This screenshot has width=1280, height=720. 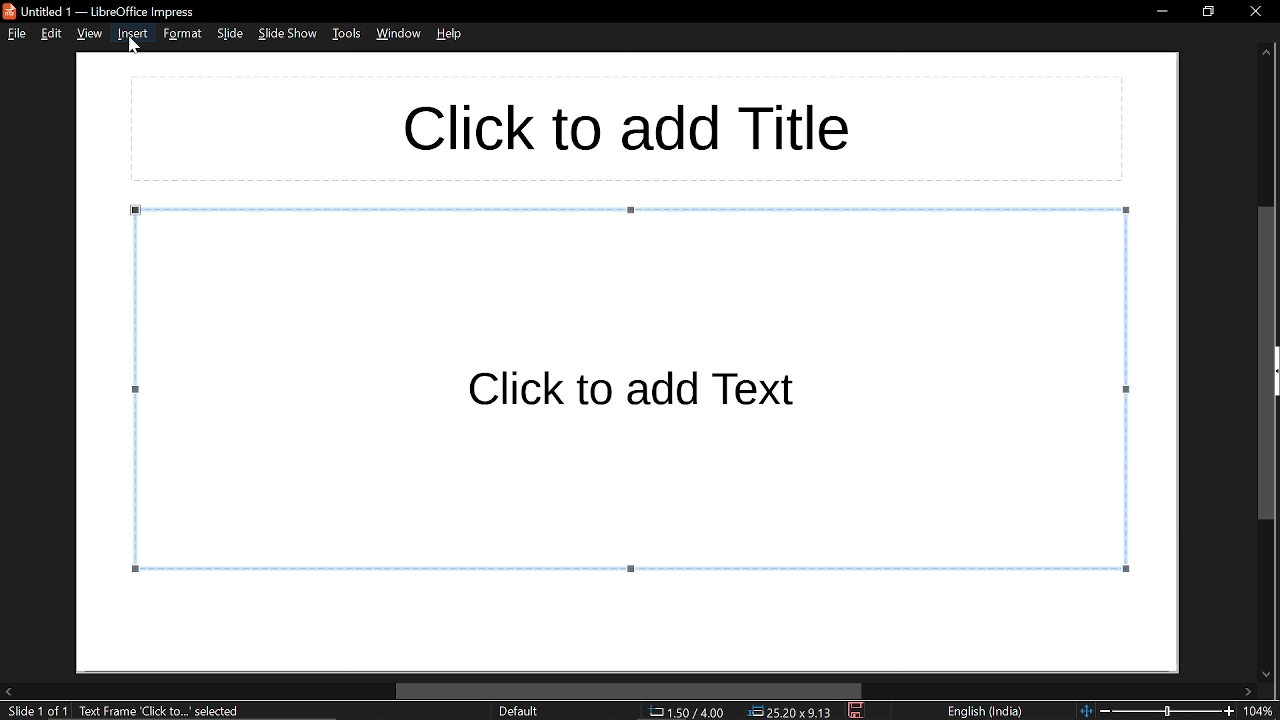 What do you see at coordinates (15, 34) in the screenshot?
I see `file` at bounding box center [15, 34].